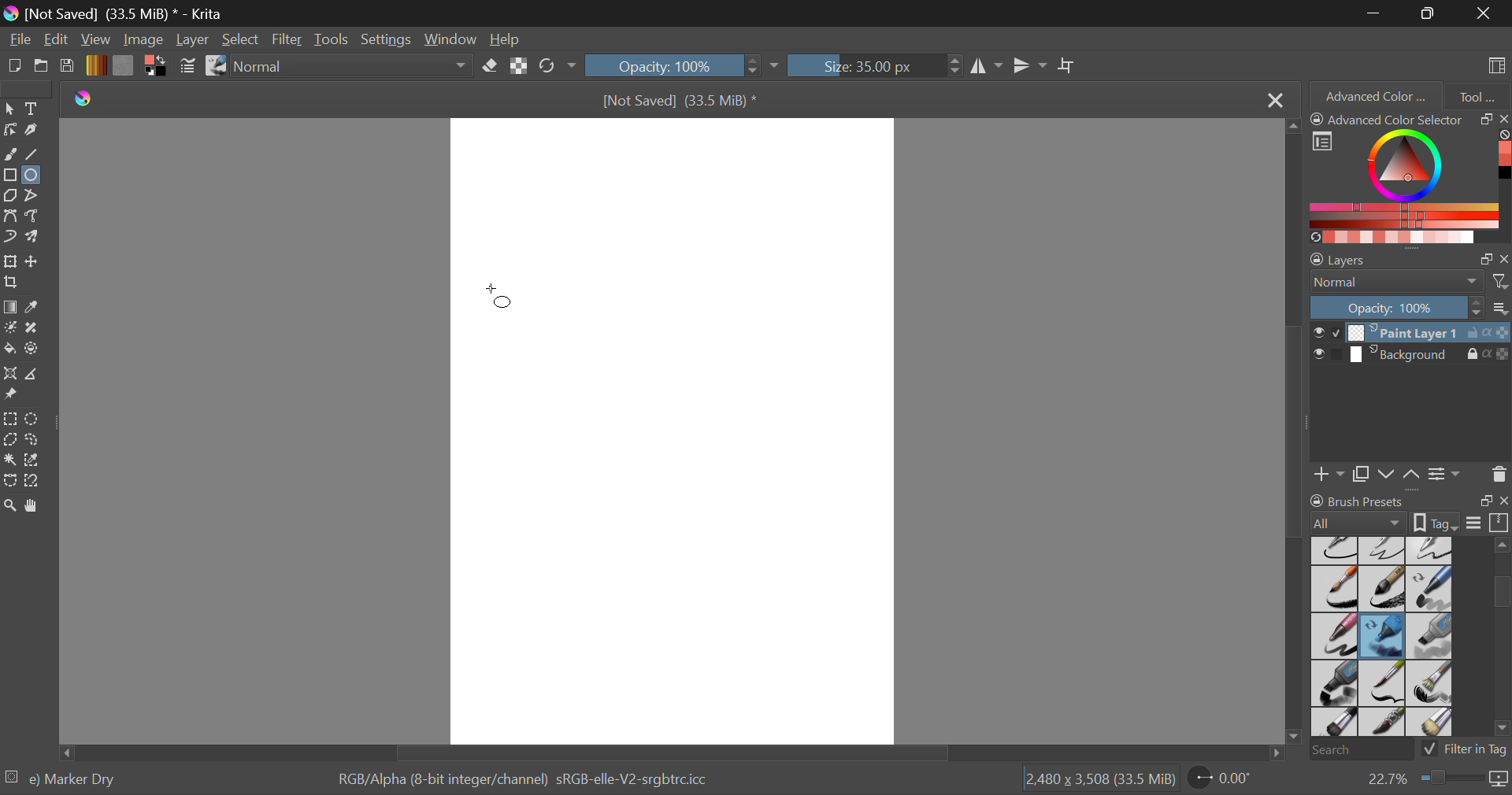 The width and height of the screenshot is (1512, 795). I want to click on Move Layers, so click(1400, 472).